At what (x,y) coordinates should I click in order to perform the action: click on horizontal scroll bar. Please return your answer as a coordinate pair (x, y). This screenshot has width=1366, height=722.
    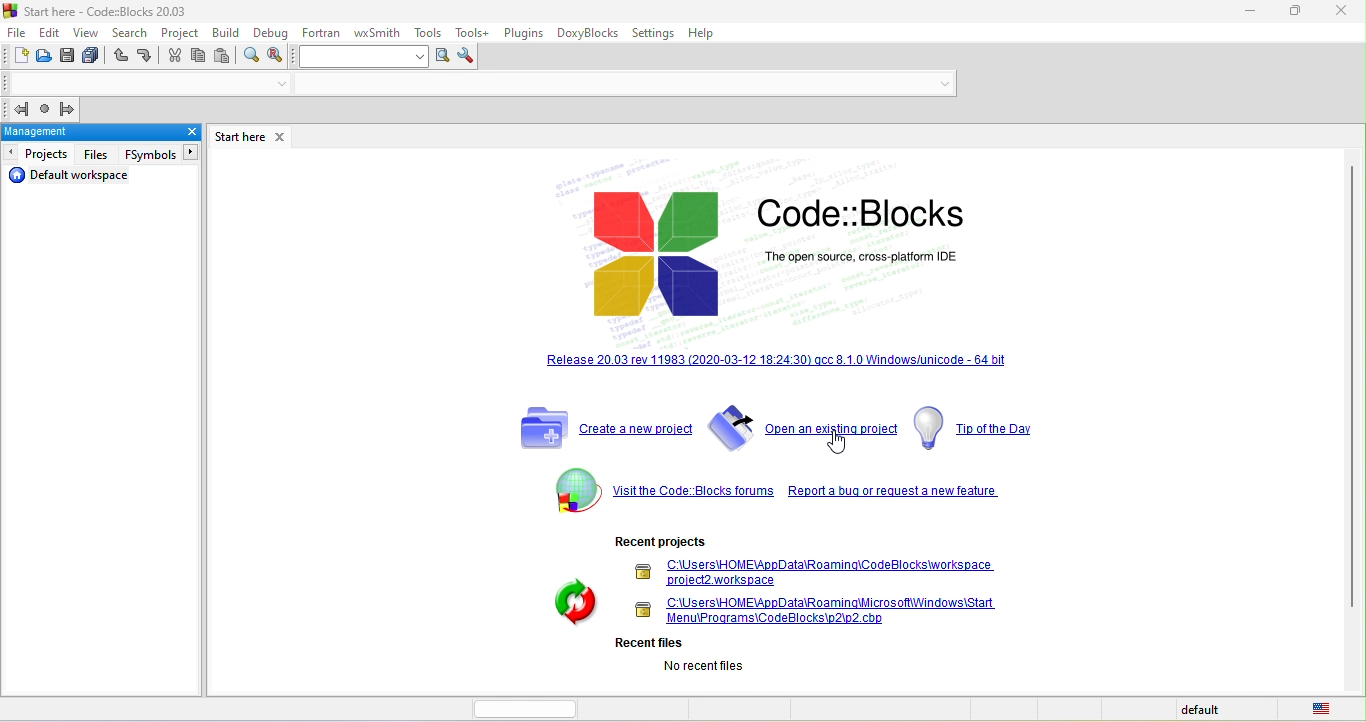
    Looking at the image, I should click on (518, 709).